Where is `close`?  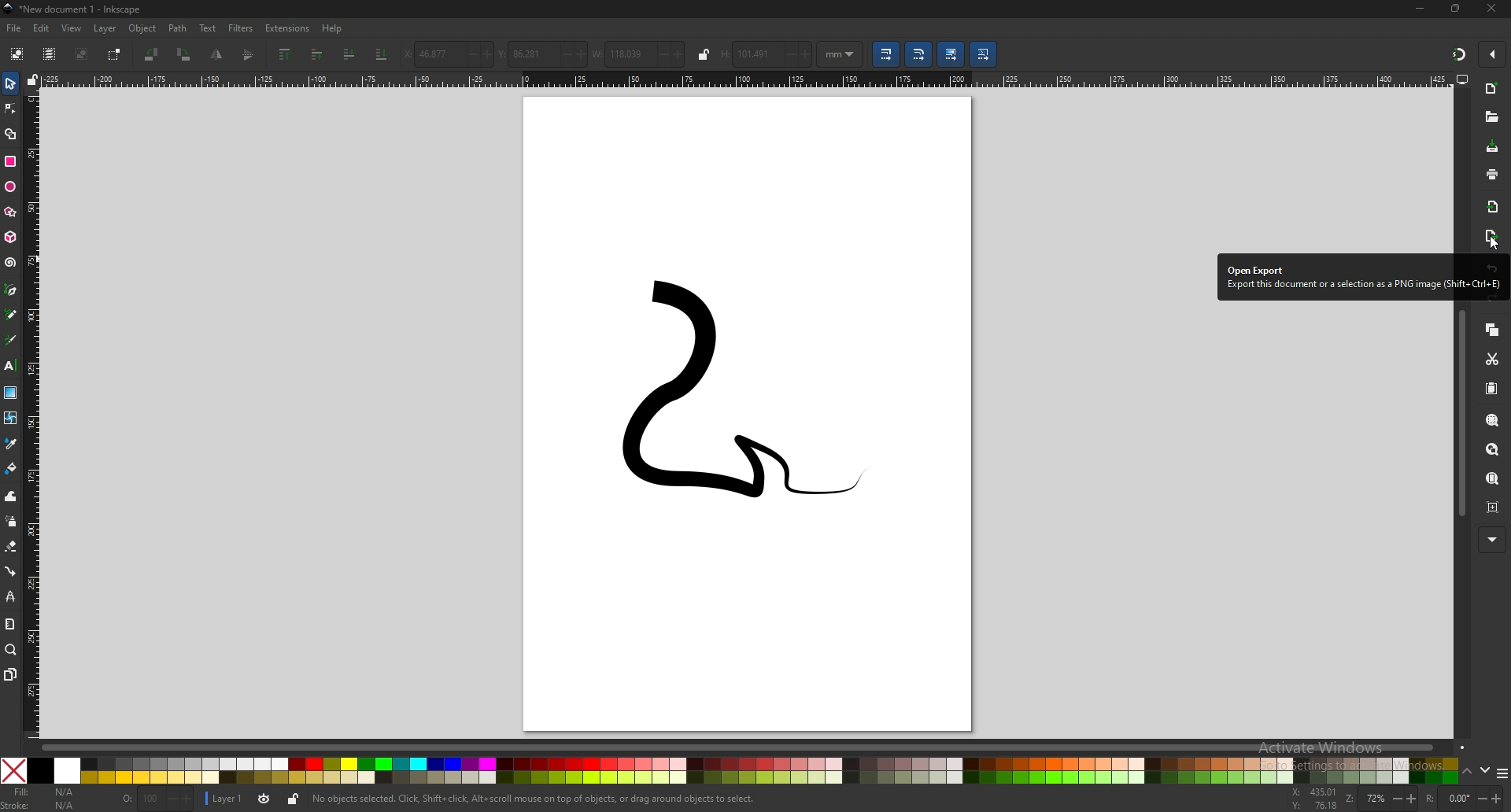 close is located at coordinates (1491, 9).